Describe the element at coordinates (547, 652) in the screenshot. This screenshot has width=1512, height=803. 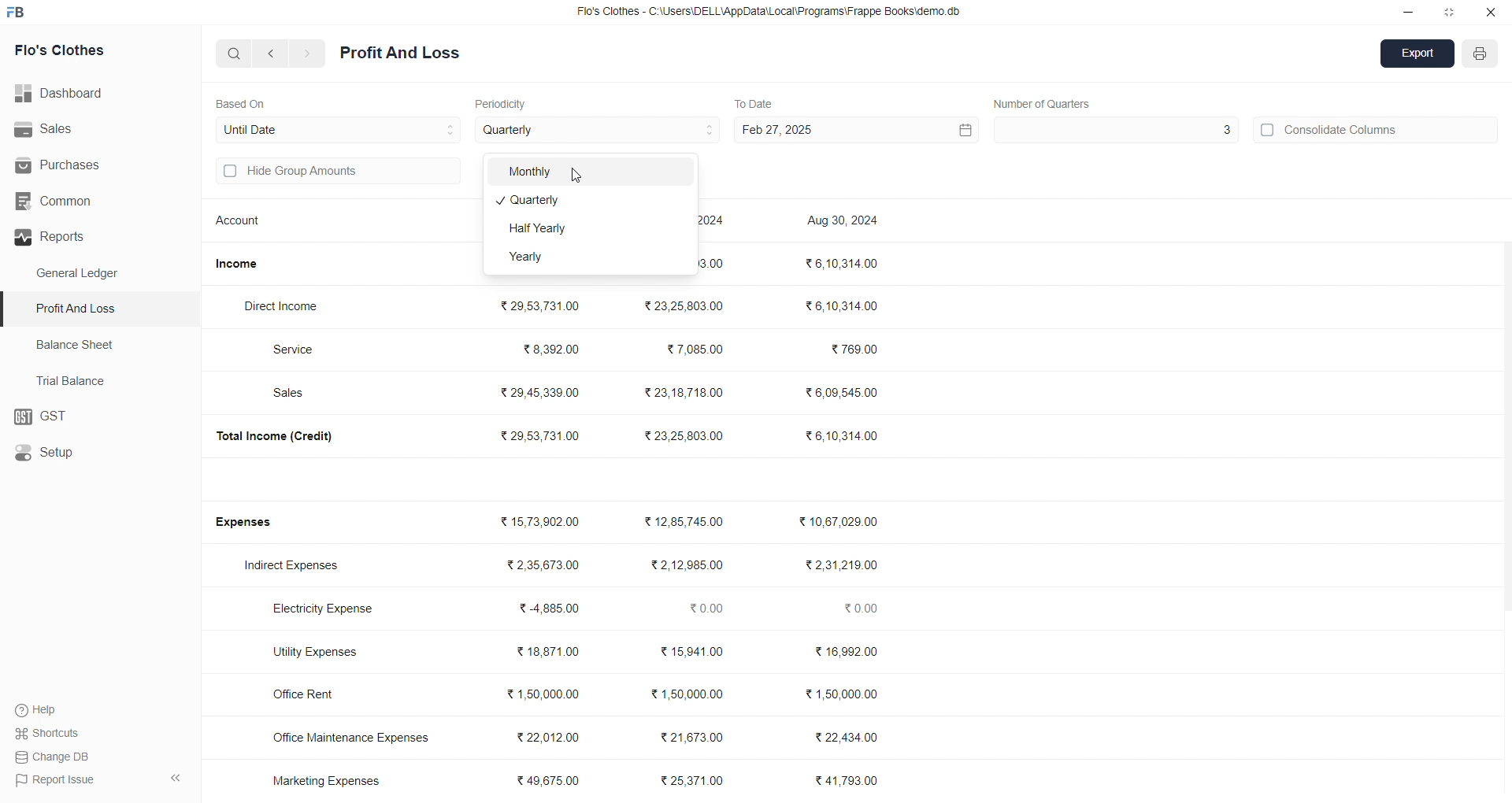
I see `₹18,871.00` at that location.